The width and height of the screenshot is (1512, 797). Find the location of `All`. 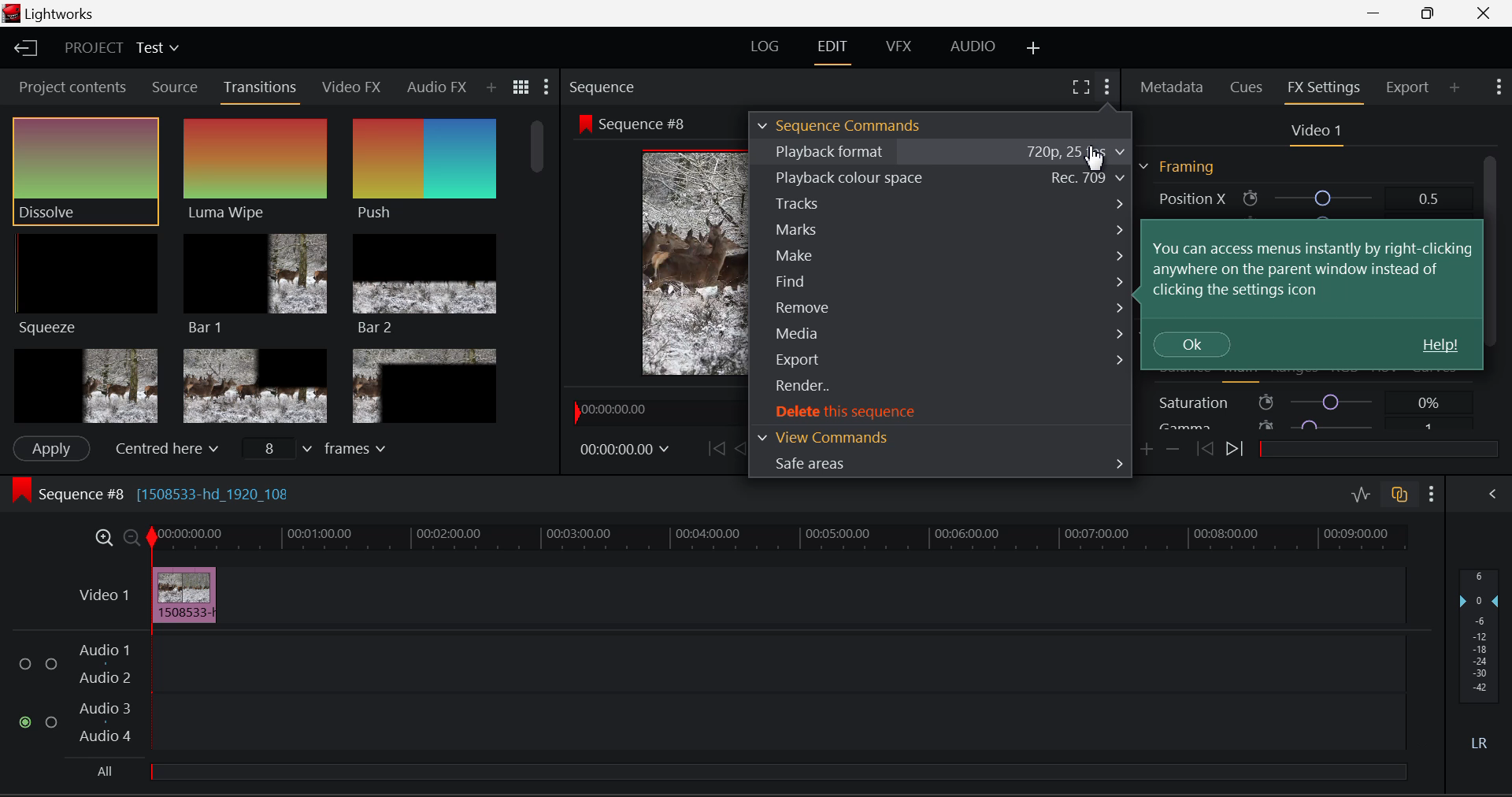

All is located at coordinates (108, 767).